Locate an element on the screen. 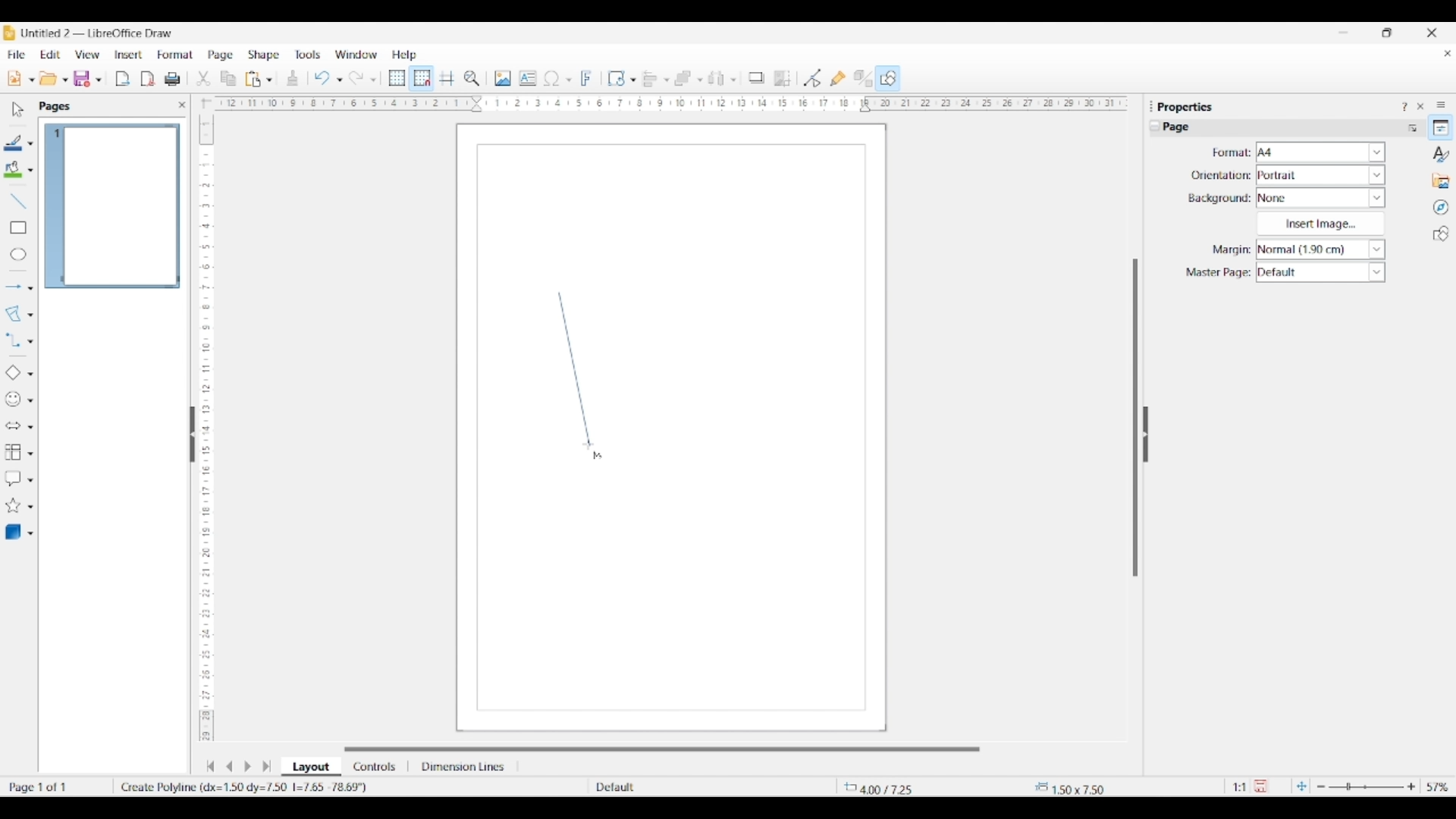 This screenshot has height=819, width=1456. Ellipse is located at coordinates (18, 254).